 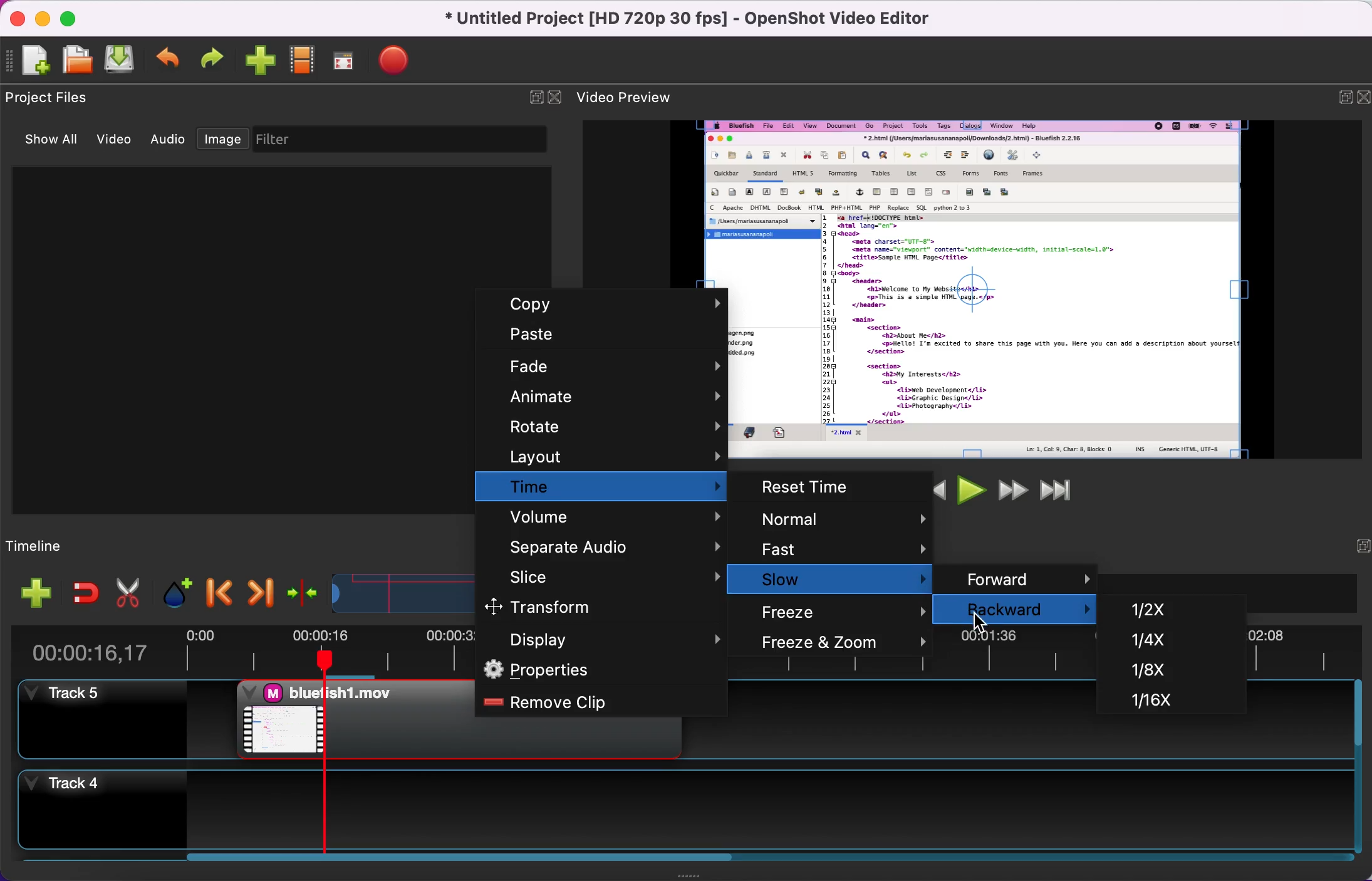 I want to click on image, so click(x=222, y=140).